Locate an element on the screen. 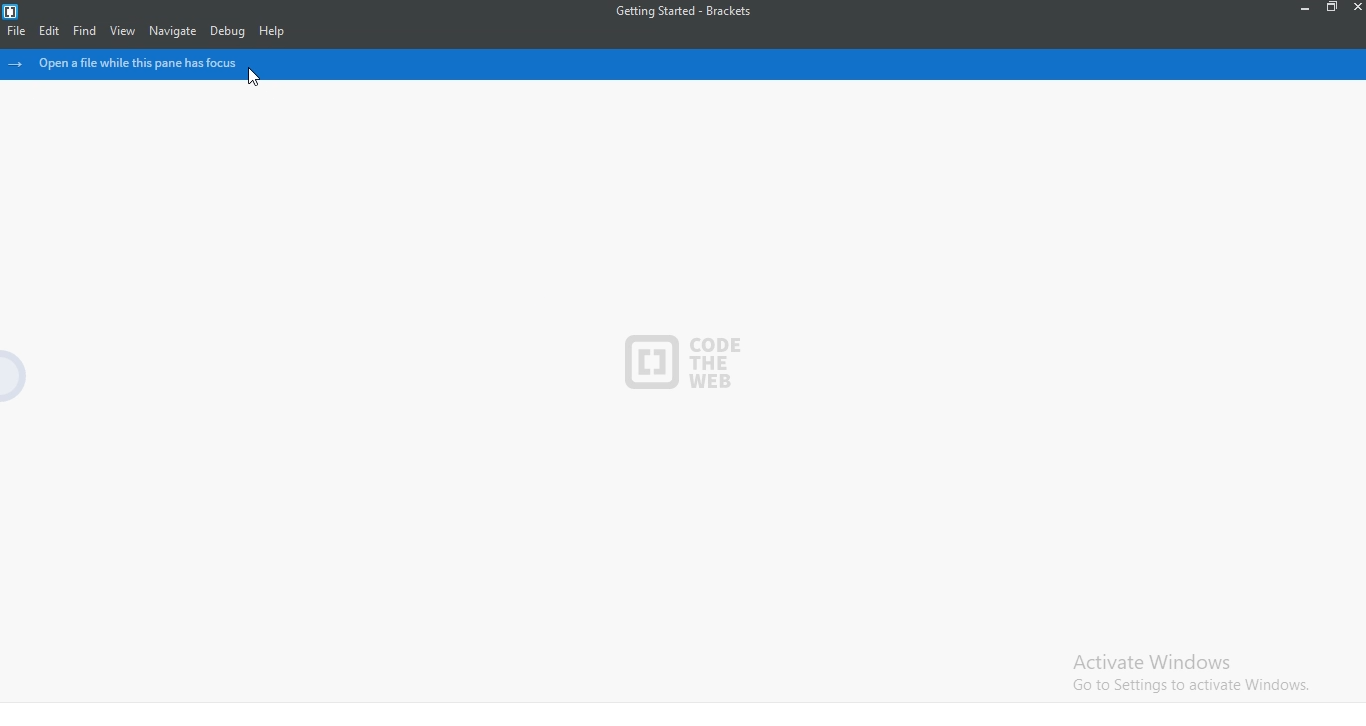  Navigate is located at coordinates (174, 33).